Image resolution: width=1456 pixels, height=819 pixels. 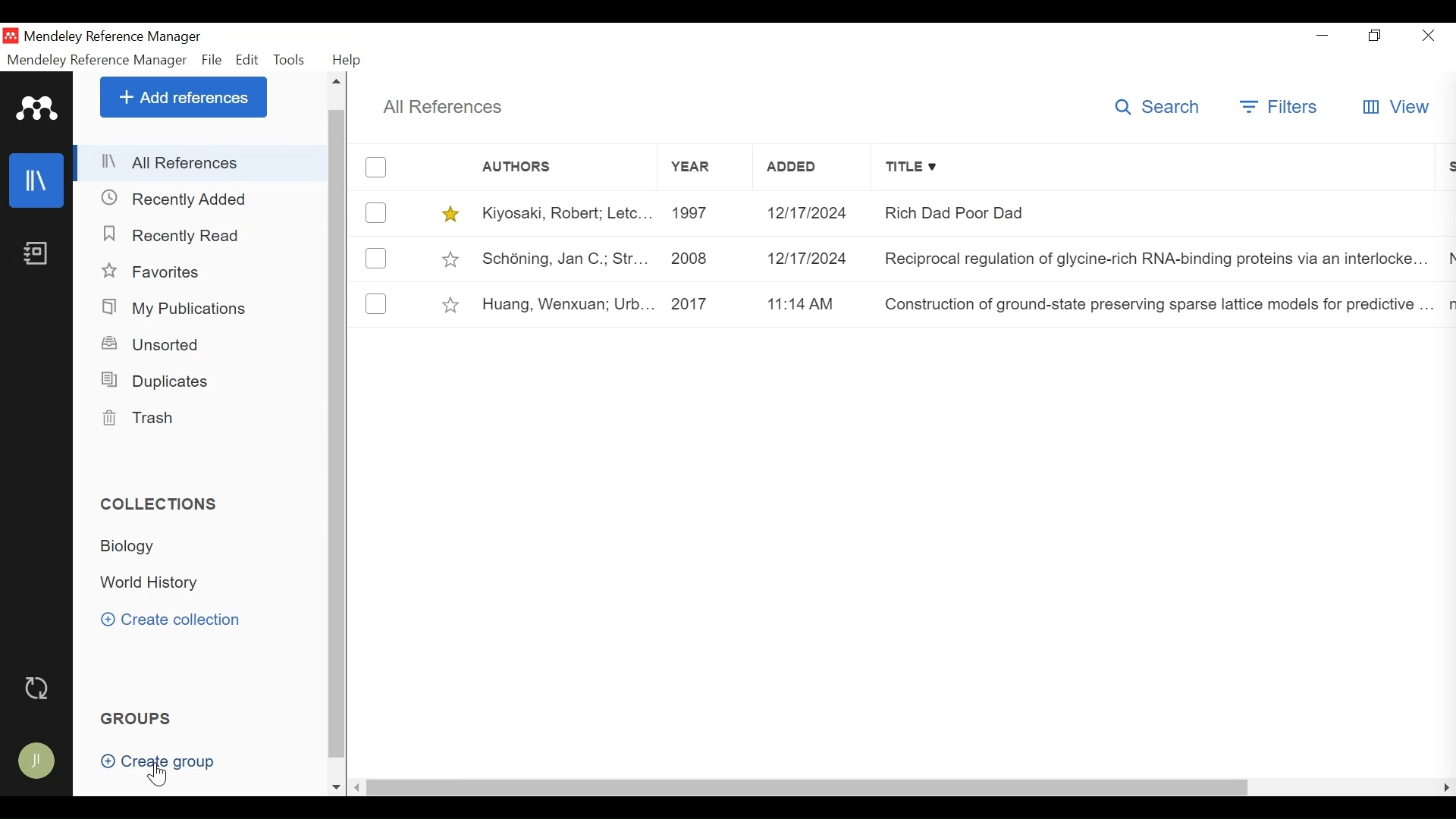 What do you see at coordinates (1323, 33) in the screenshot?
I see `minimize` at bounding box center [1323, 33].